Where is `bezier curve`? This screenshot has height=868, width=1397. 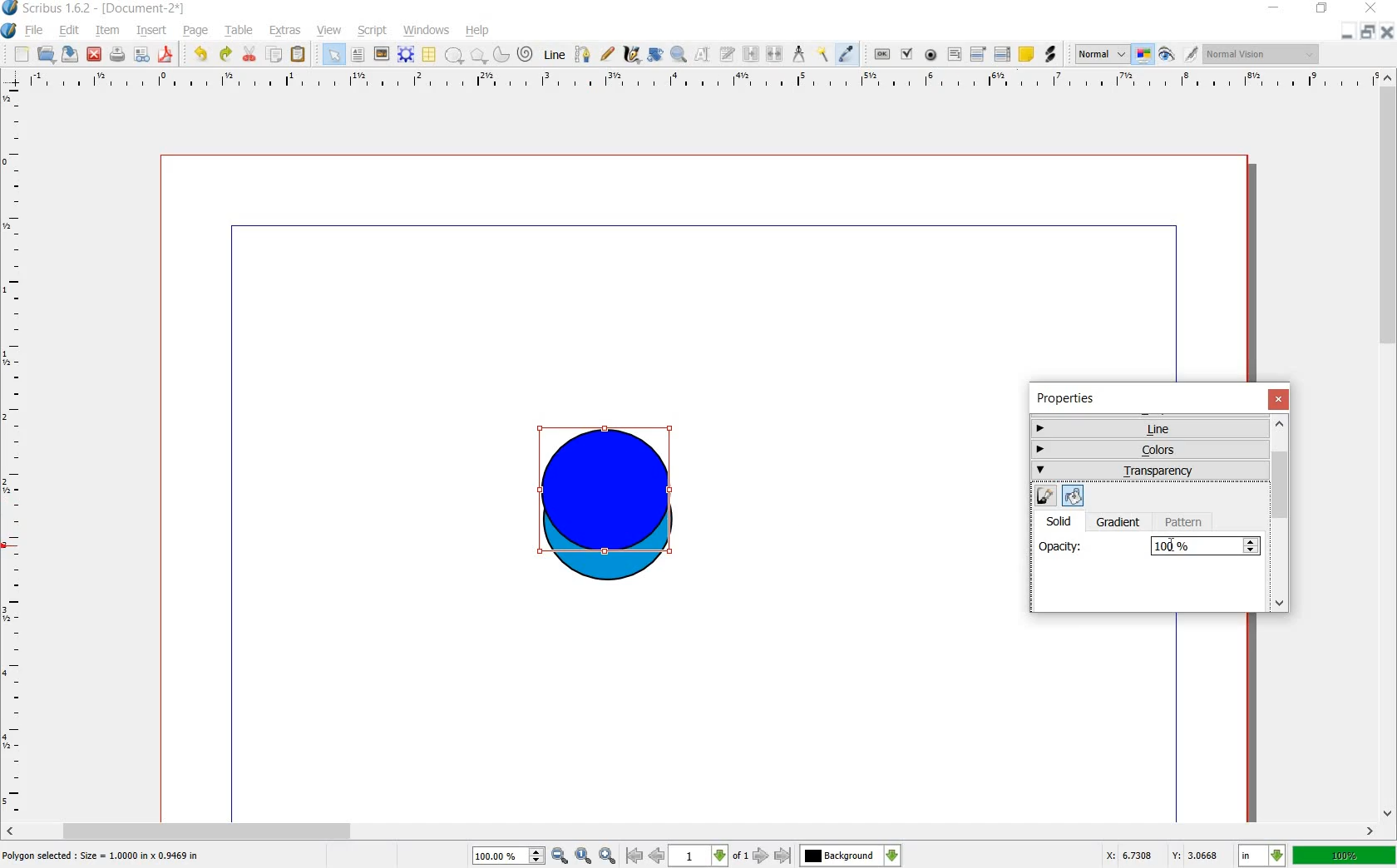
bezier curve is located at coordinates (583, 55).